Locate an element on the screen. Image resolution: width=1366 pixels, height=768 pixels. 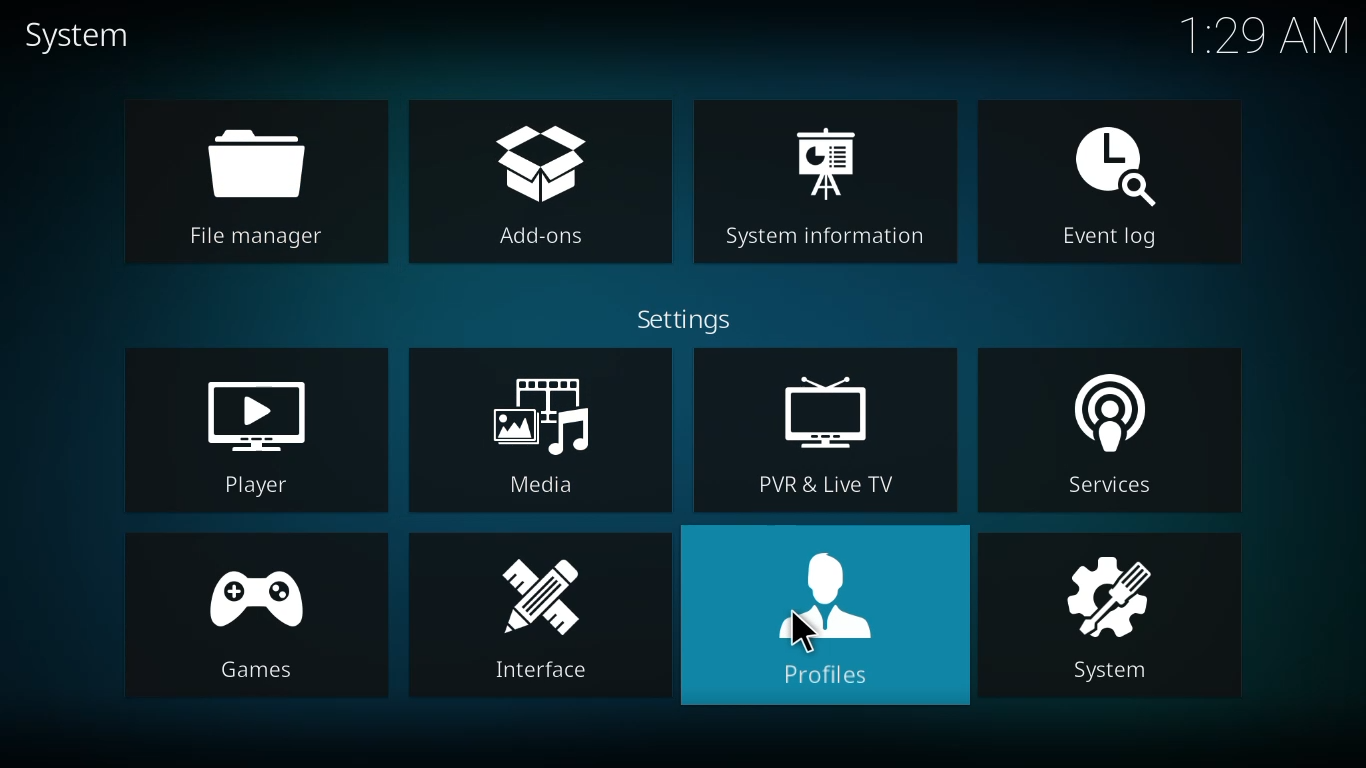
system information is located at coordinates (824, 185).